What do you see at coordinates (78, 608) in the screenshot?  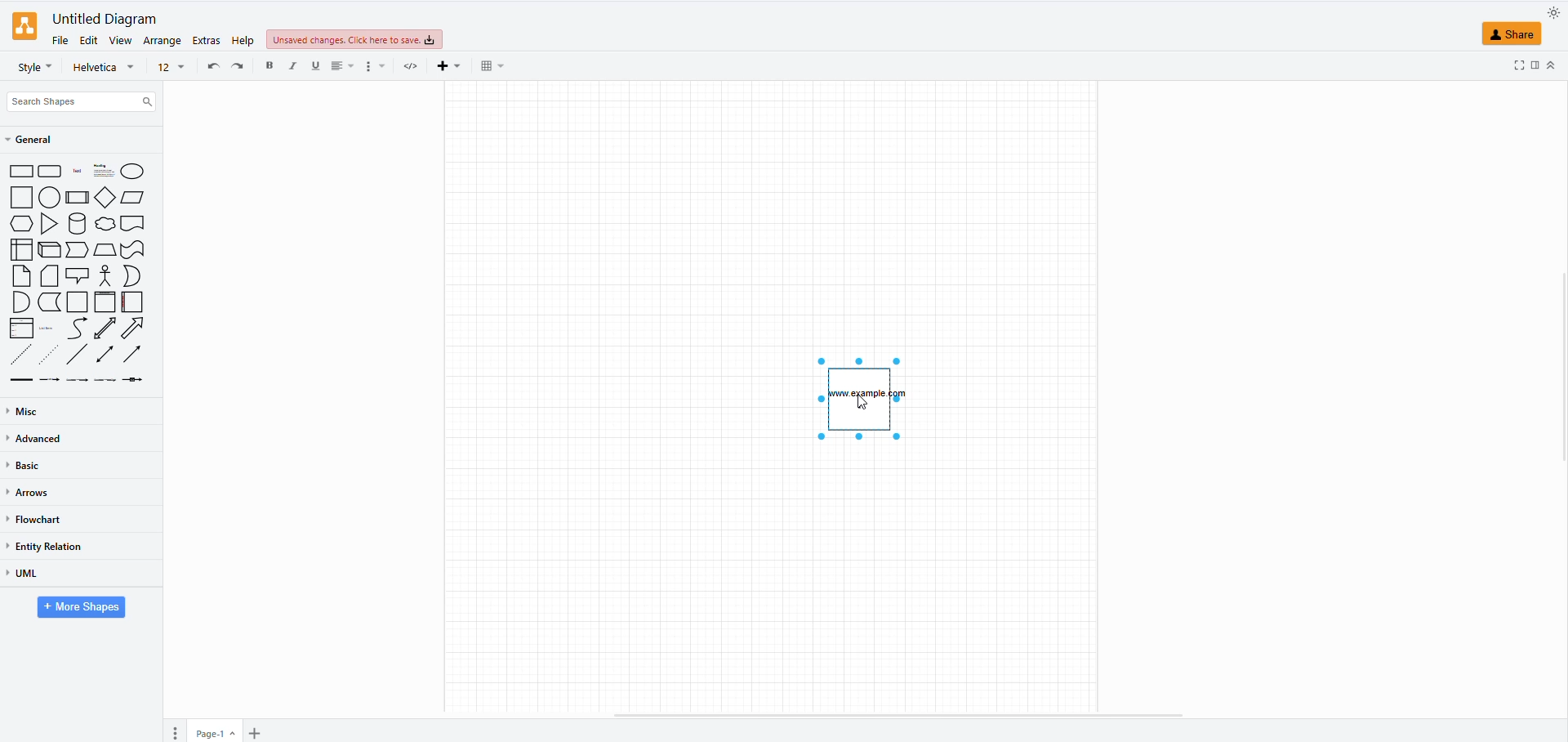 I see `more shapes` at bounding box center [78, 608].